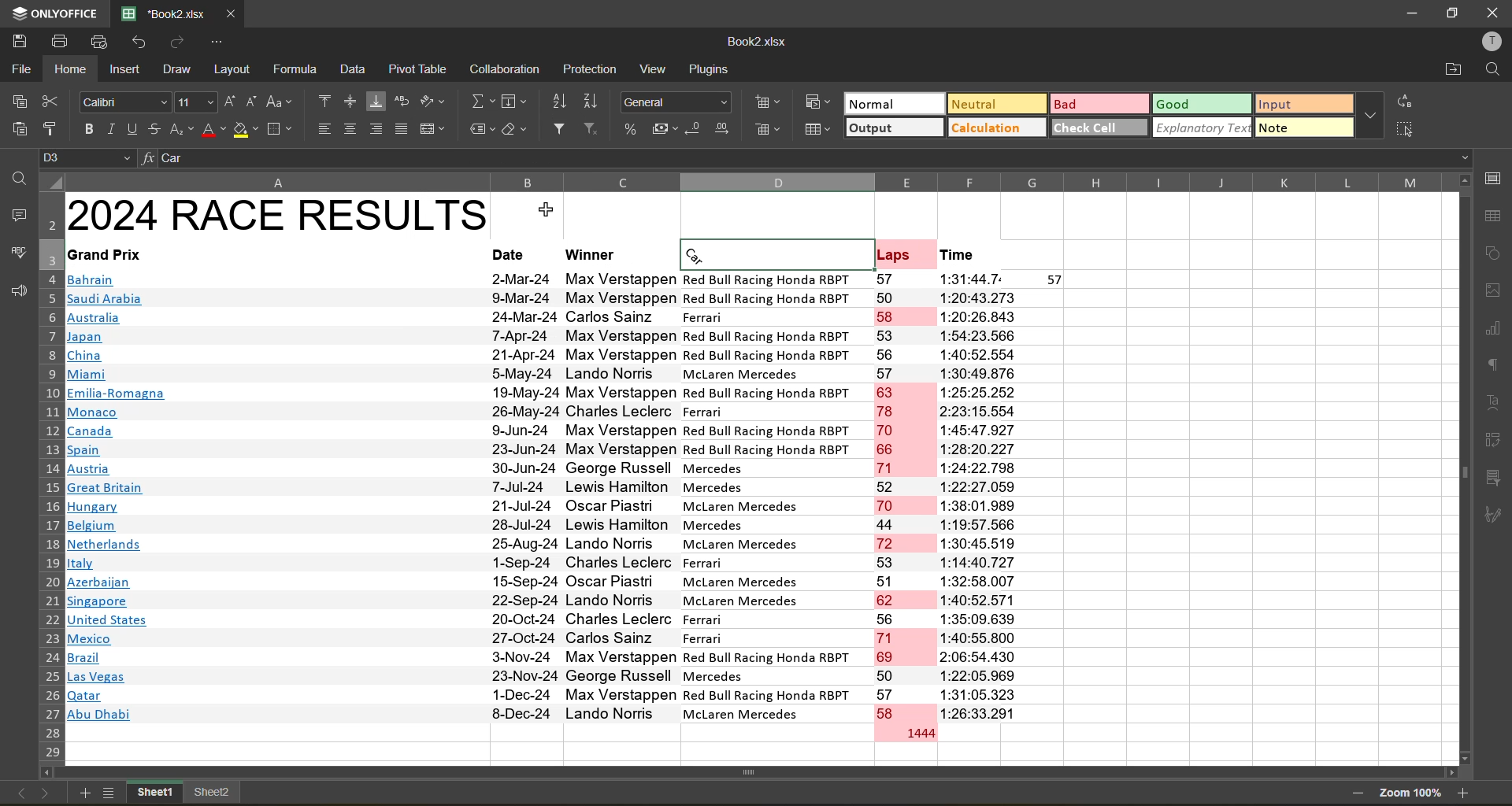 The image size is (1512, 806). What do you see at coordinates (1465, 792) in the screenshot?
I see `zoom in` at bounding box center [1465, 792].